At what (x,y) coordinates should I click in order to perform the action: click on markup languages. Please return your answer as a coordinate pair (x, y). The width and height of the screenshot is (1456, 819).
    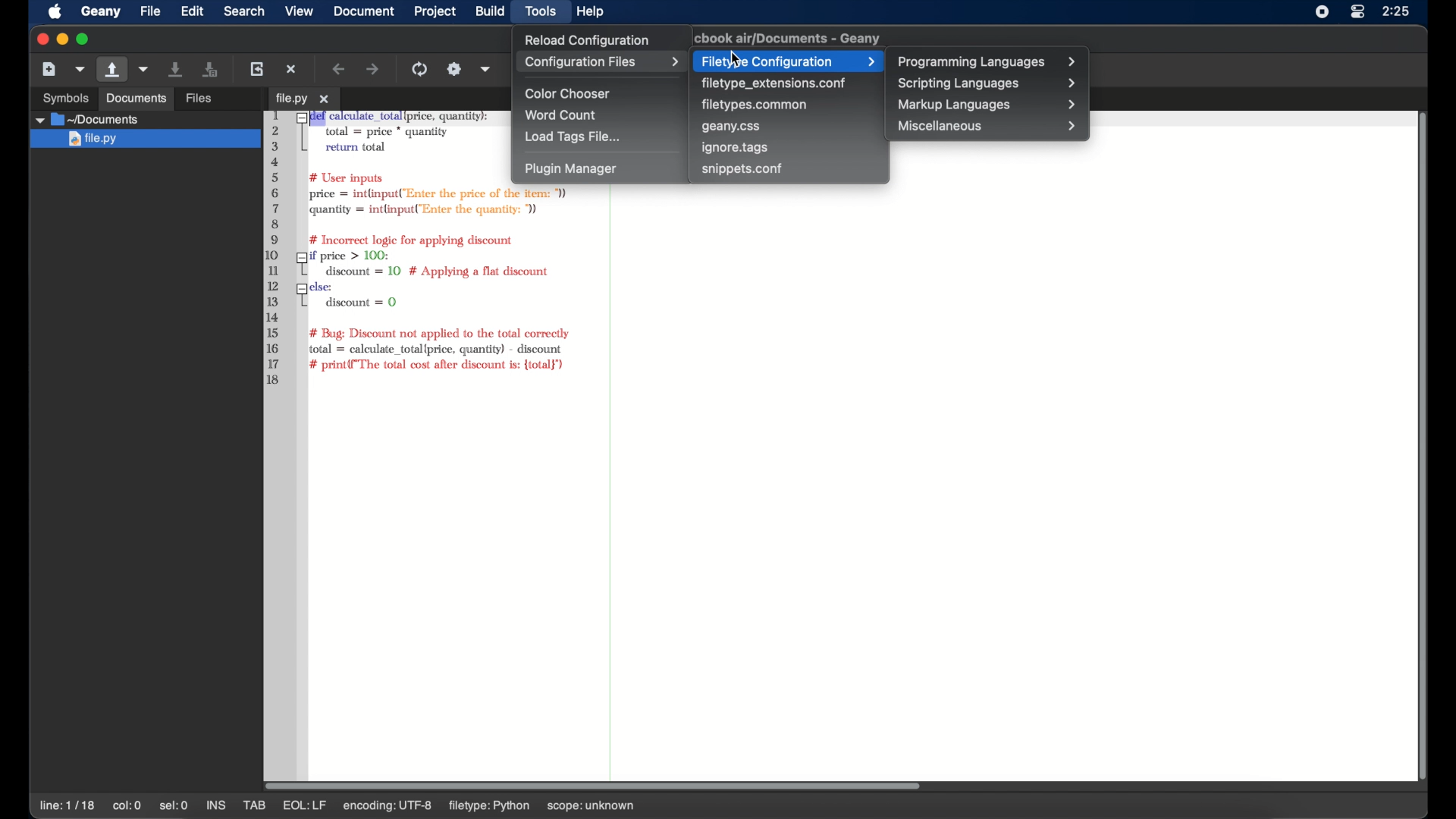
    Looking at the image, I should click on (988, 105).